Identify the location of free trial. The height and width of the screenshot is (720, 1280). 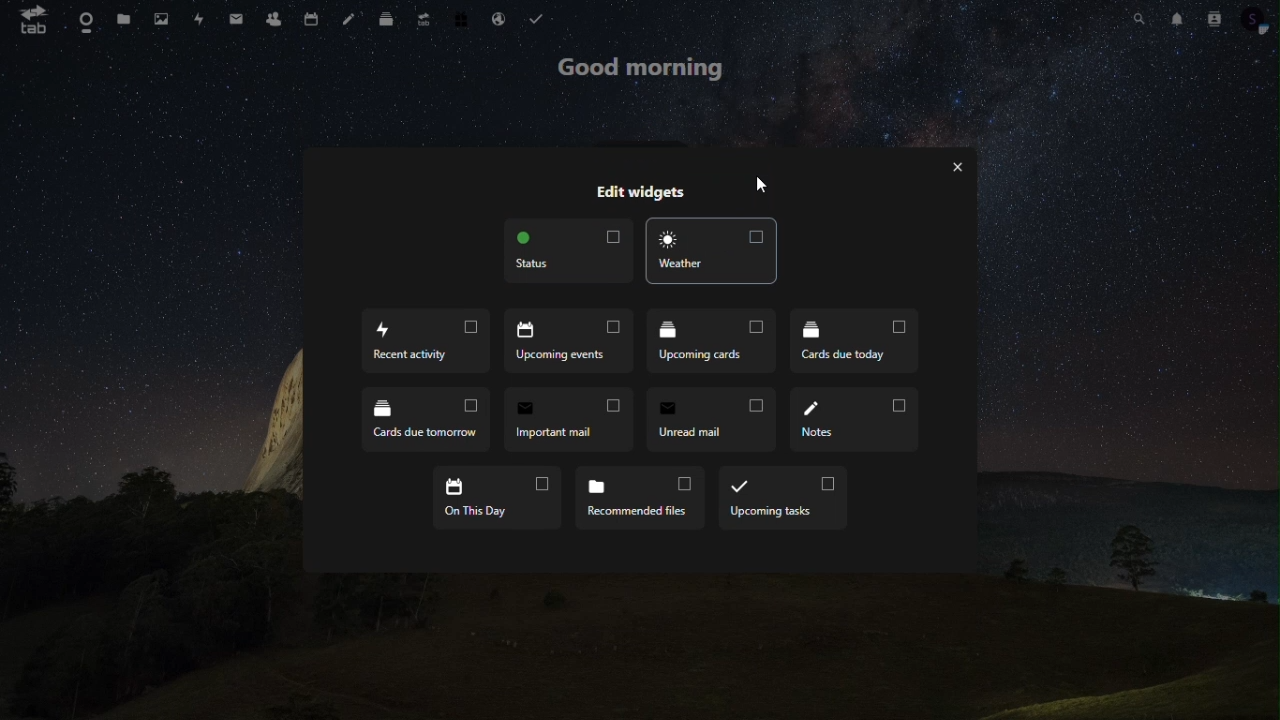
(464, 17).